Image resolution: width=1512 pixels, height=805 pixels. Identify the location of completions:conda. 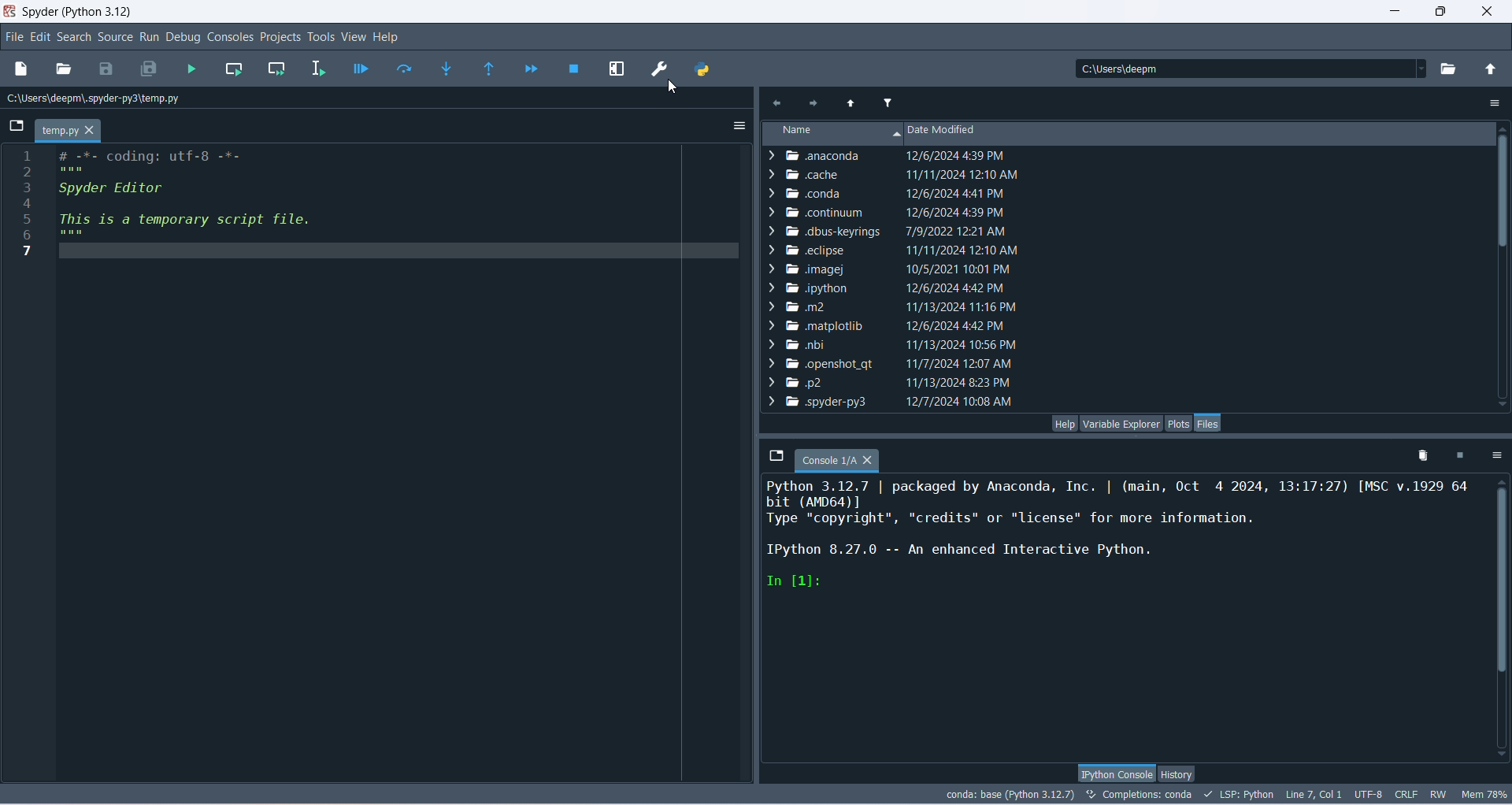
(1140, 794).